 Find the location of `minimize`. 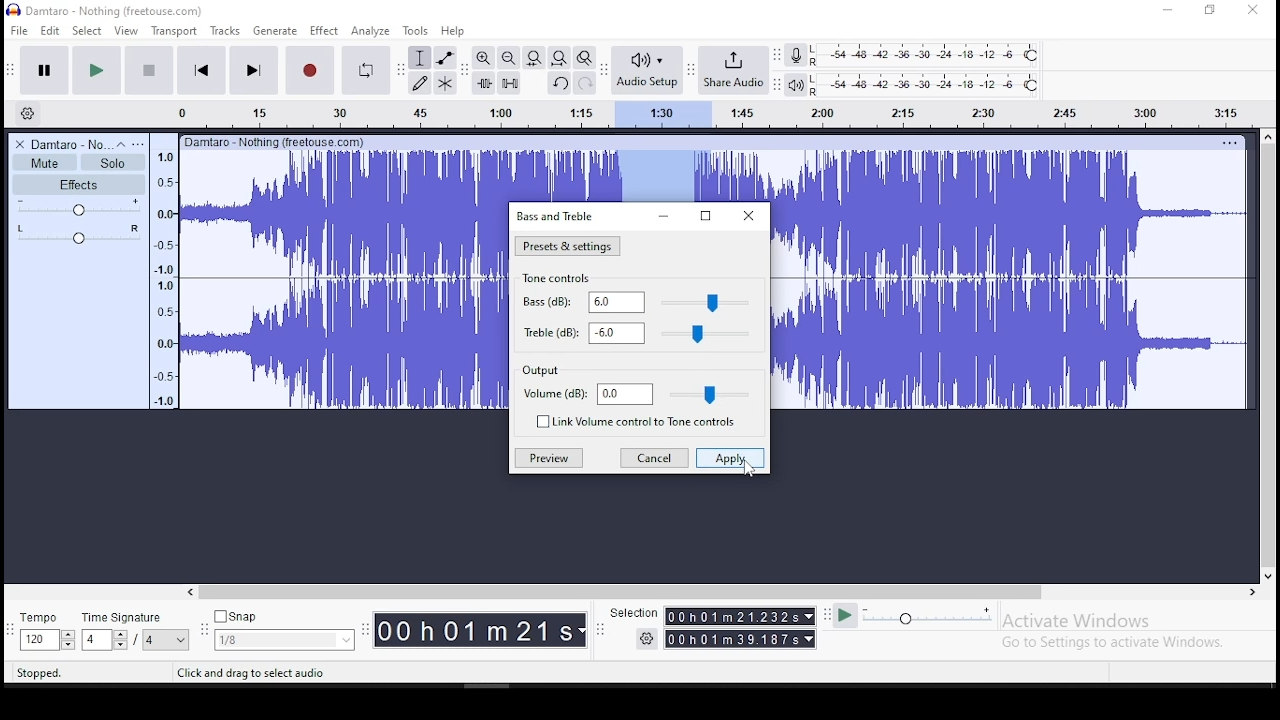

minimize is located at coordinates (1169, 11).